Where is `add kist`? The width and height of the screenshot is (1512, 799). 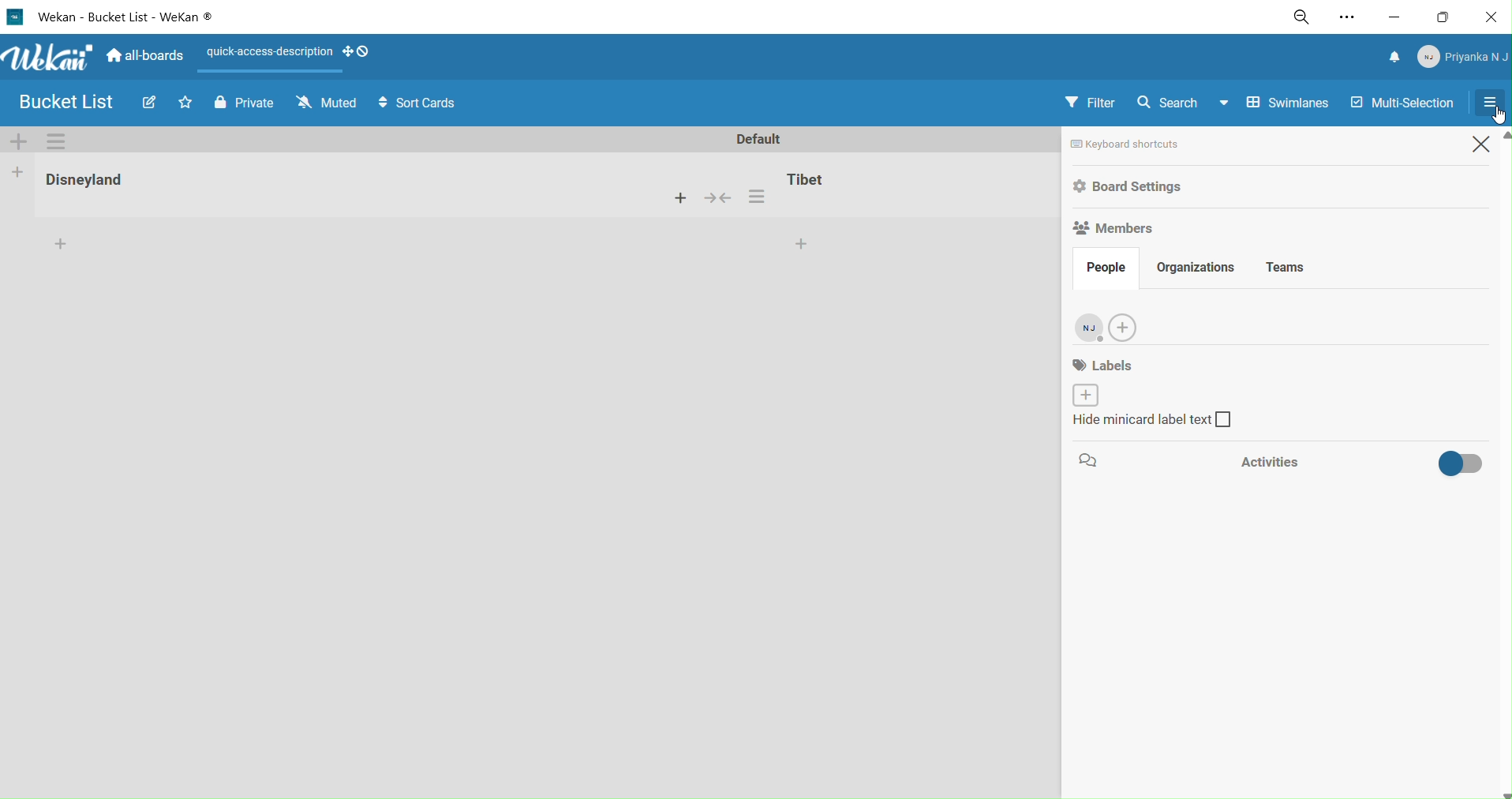
add kist is located at coordinates (17, 172).